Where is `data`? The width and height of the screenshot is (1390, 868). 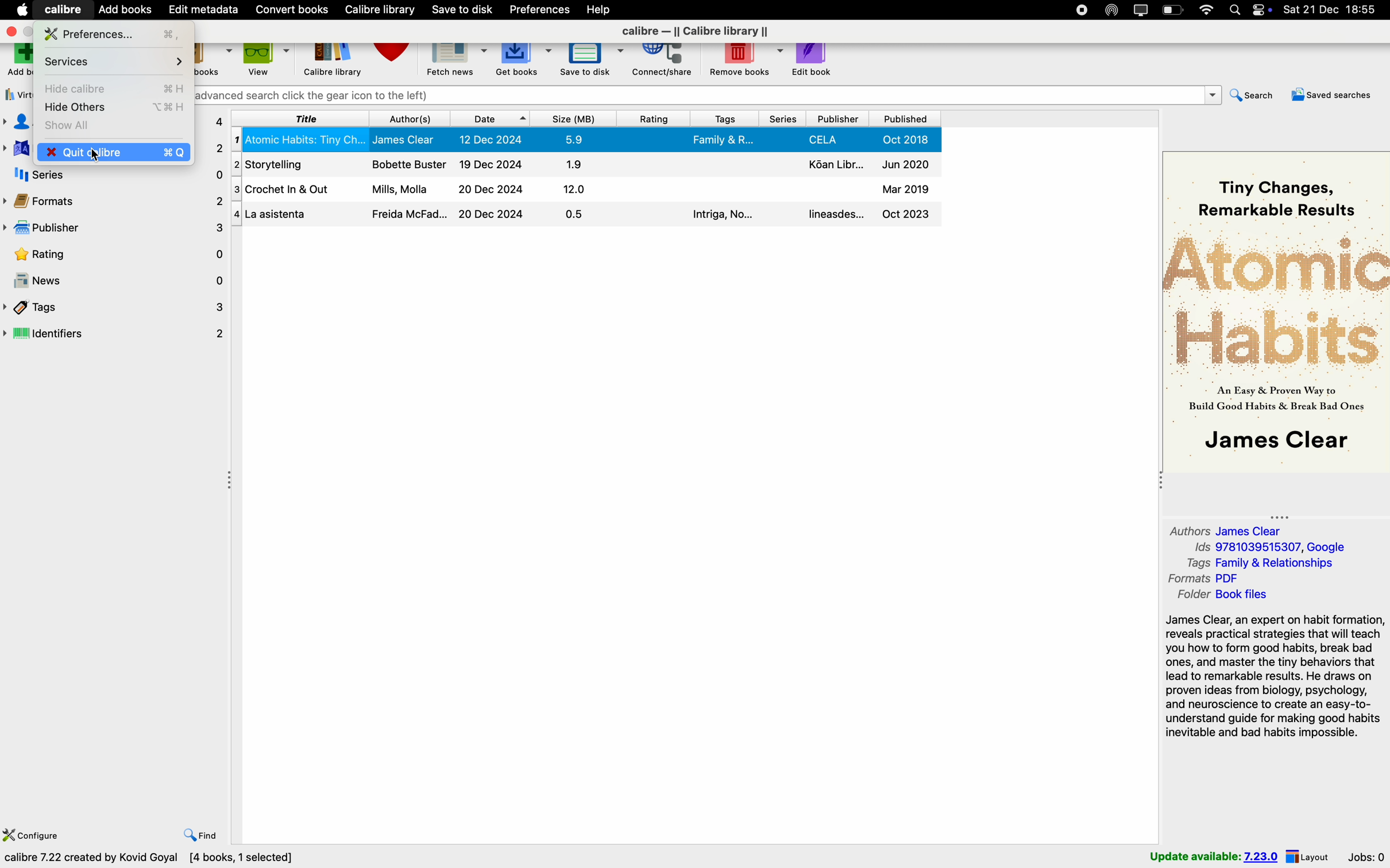 data is located at coordinates (151, 859).